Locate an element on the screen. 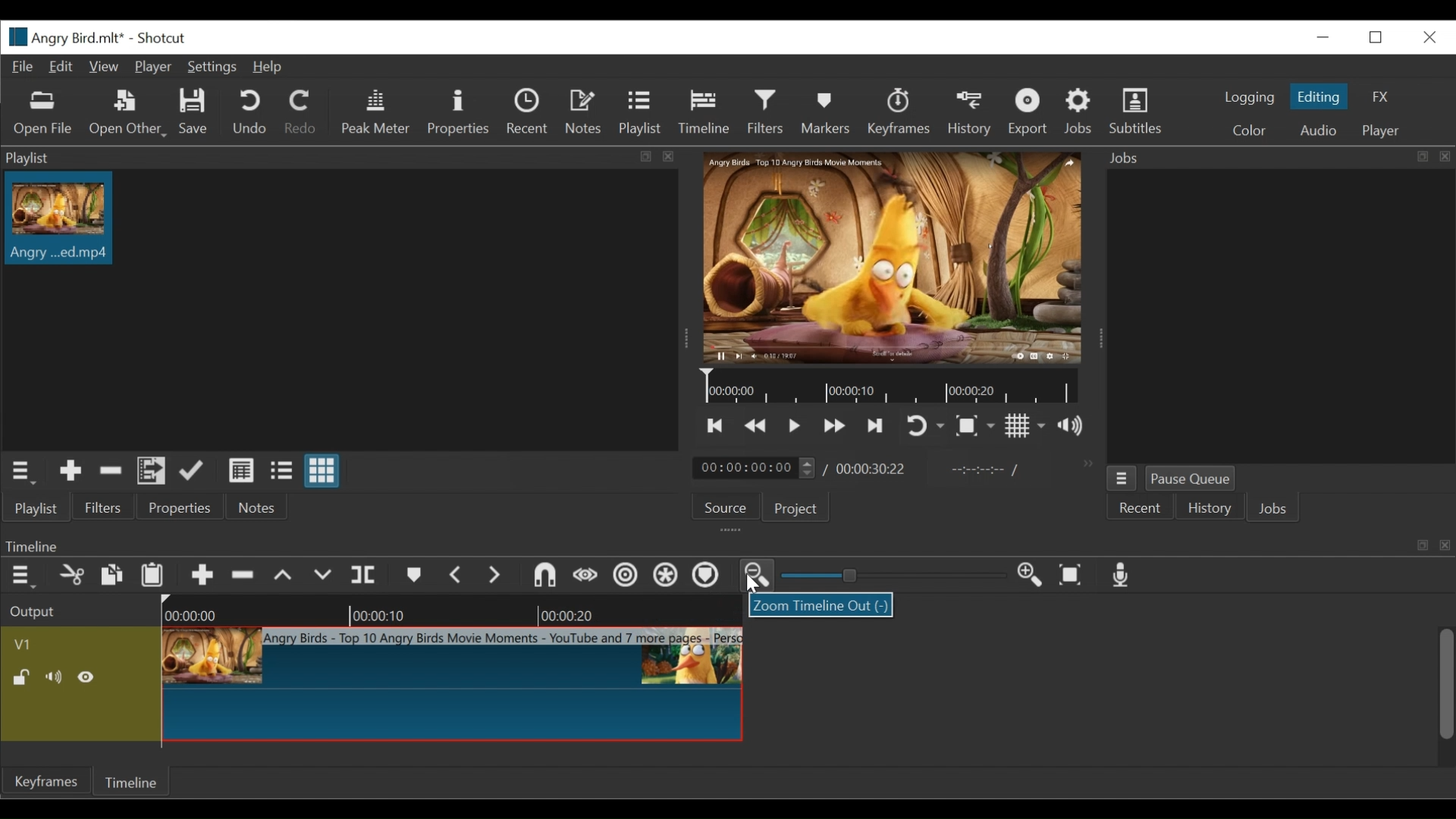 The image size is (1456, 819). View as files is located at coordinates (281, 470).